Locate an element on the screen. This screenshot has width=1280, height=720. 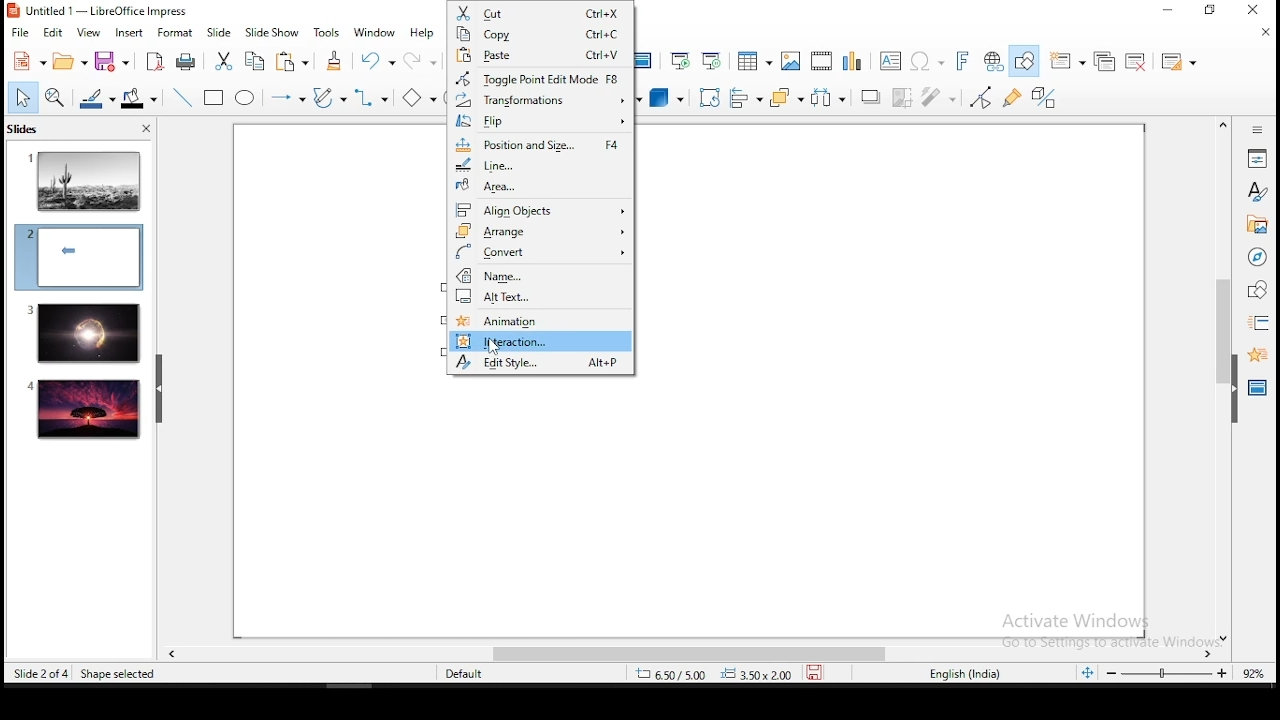
edit is located at coordinates (53, 33).